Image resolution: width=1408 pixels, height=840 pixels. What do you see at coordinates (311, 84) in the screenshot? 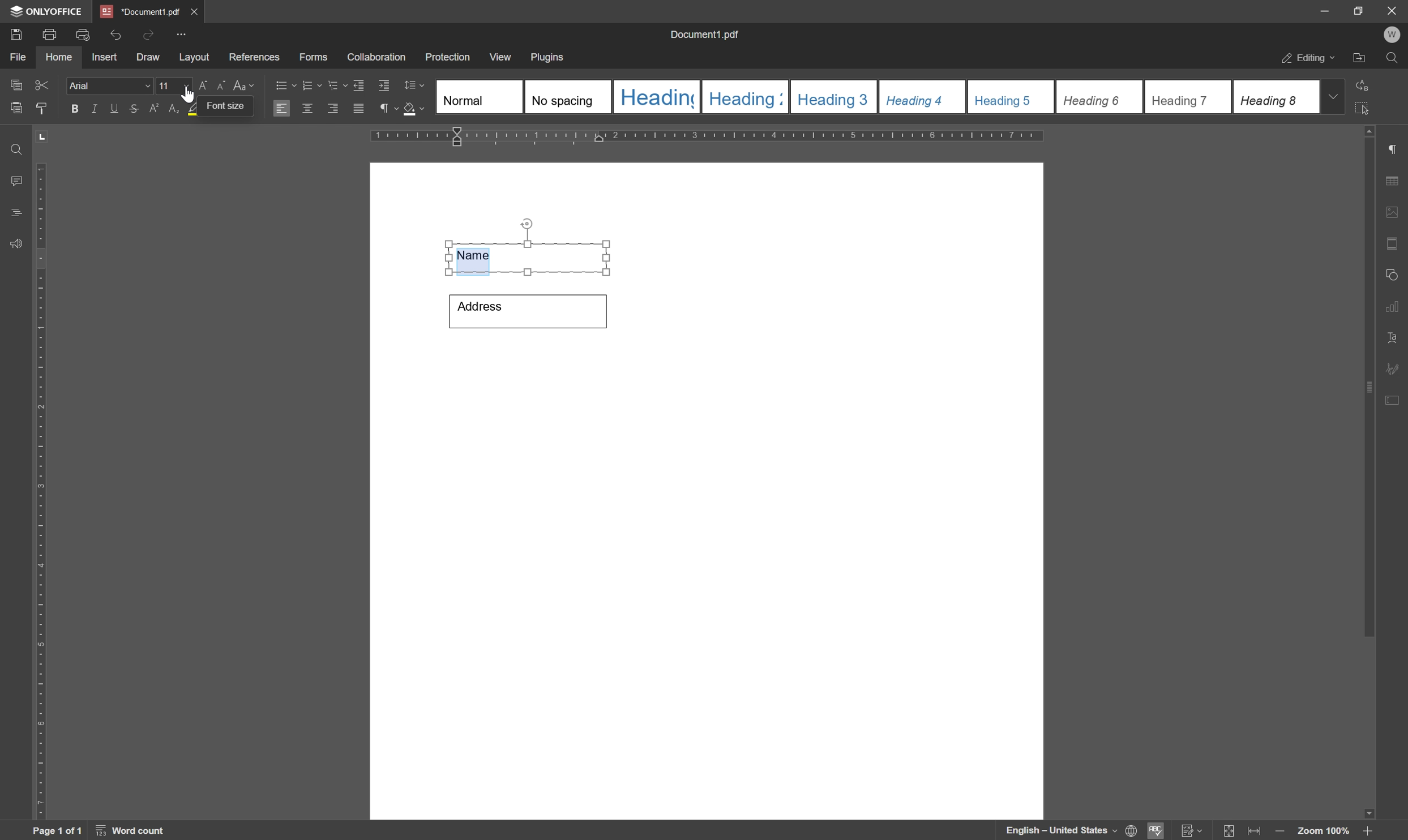
I see `numbering` at bounding box center [311, 84].